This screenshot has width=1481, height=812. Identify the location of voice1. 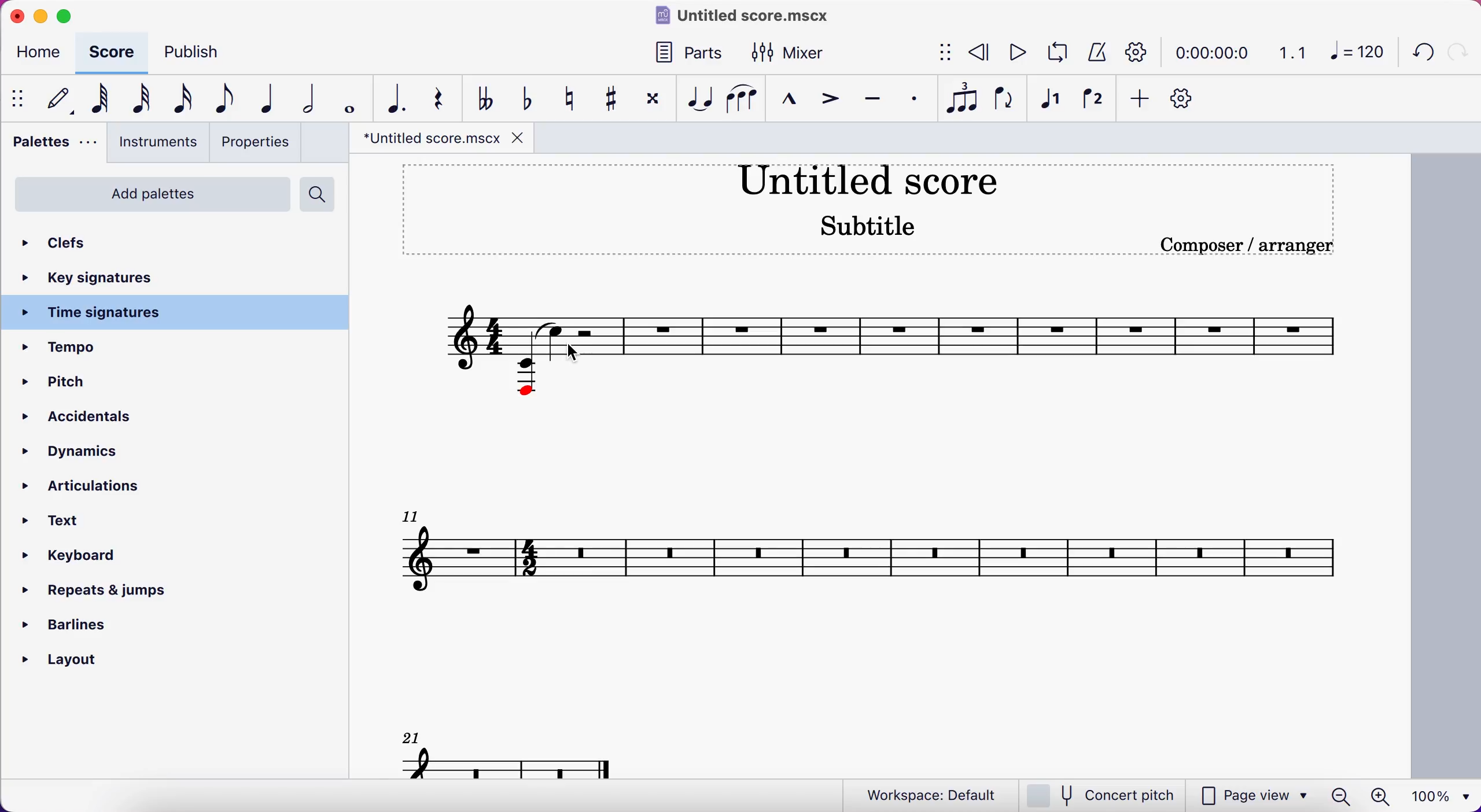
(1047, 103).